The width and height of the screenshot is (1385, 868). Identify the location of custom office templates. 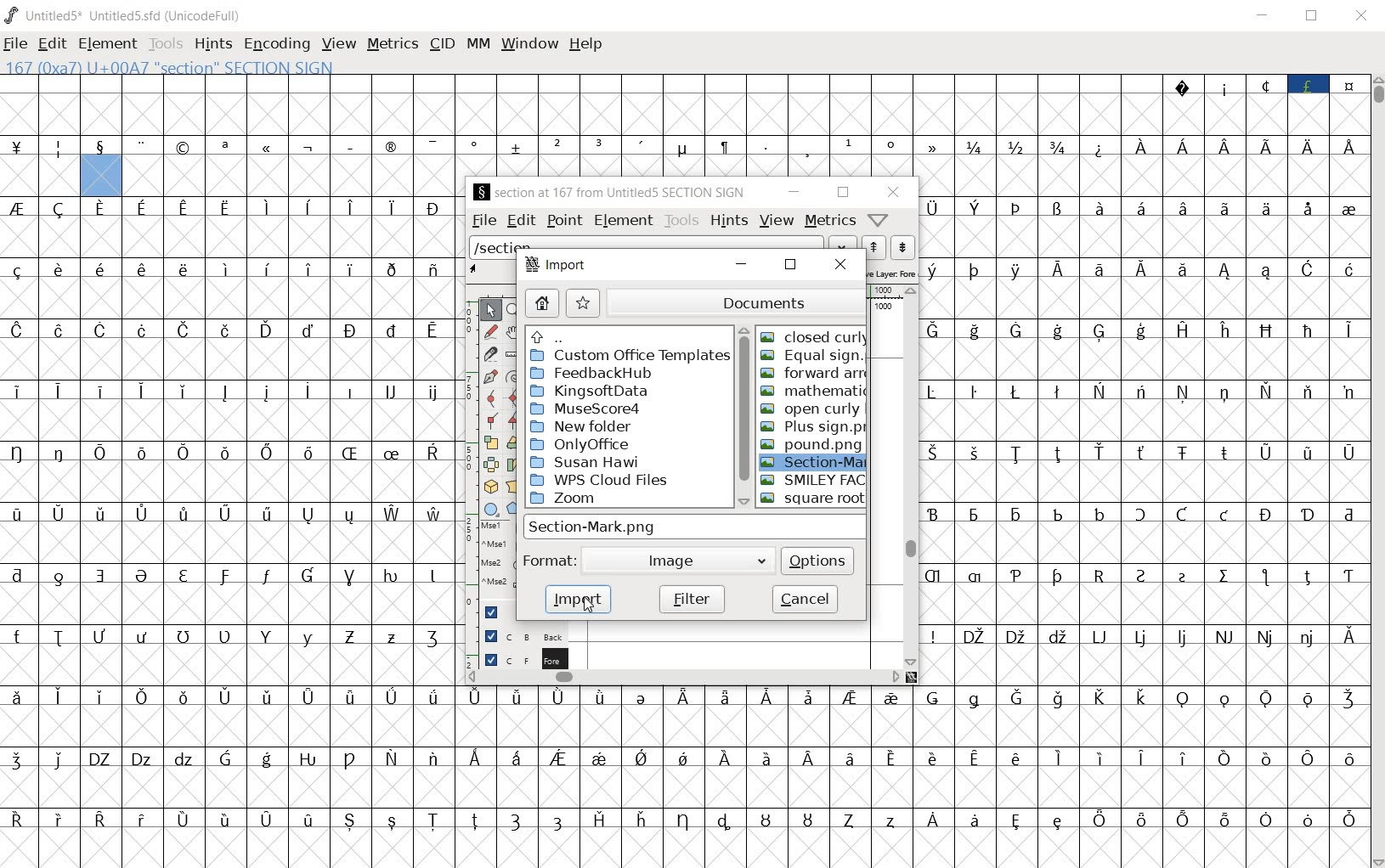
(630, 357).